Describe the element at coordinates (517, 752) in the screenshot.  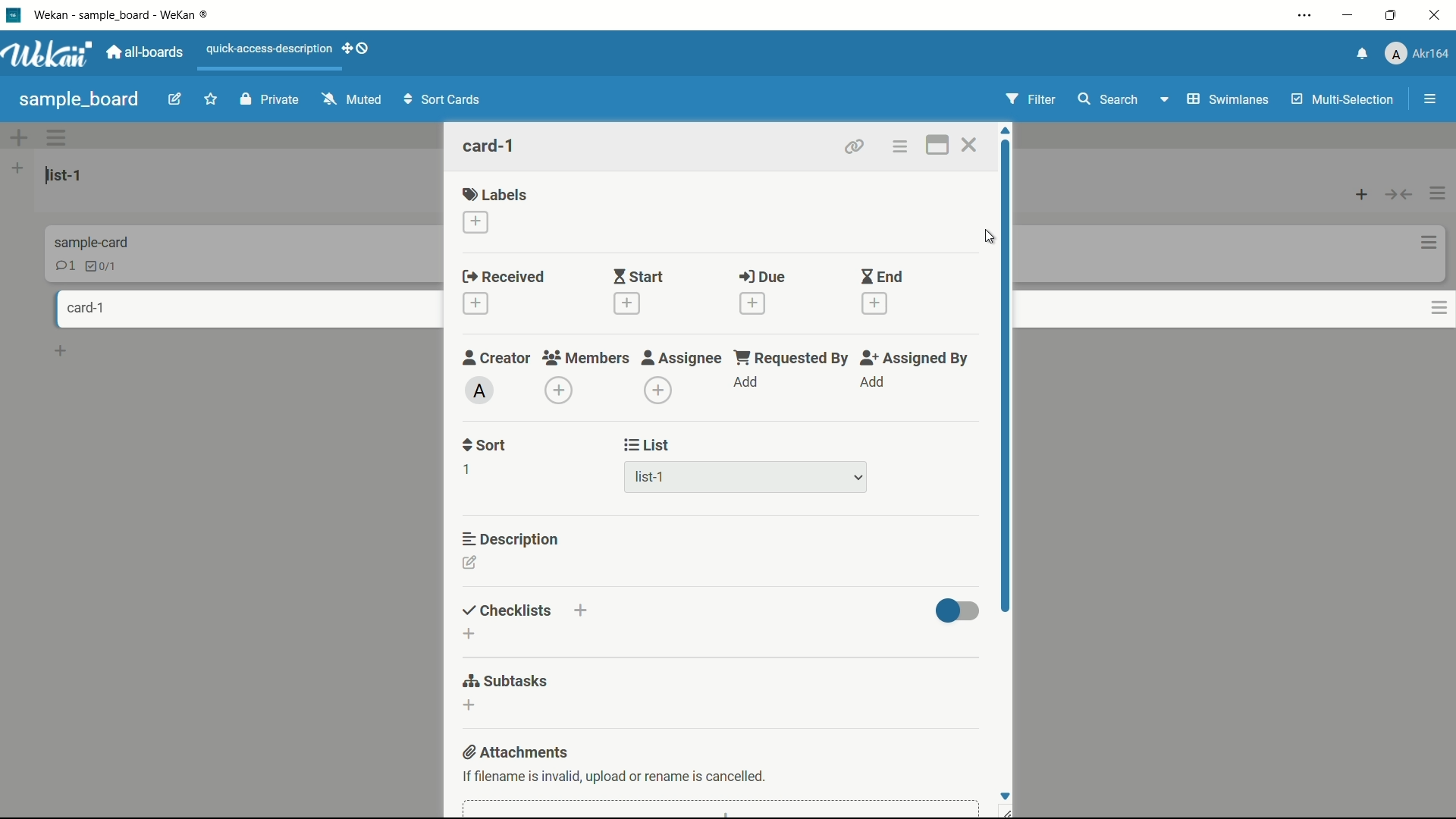
I see `attachments` at that location.